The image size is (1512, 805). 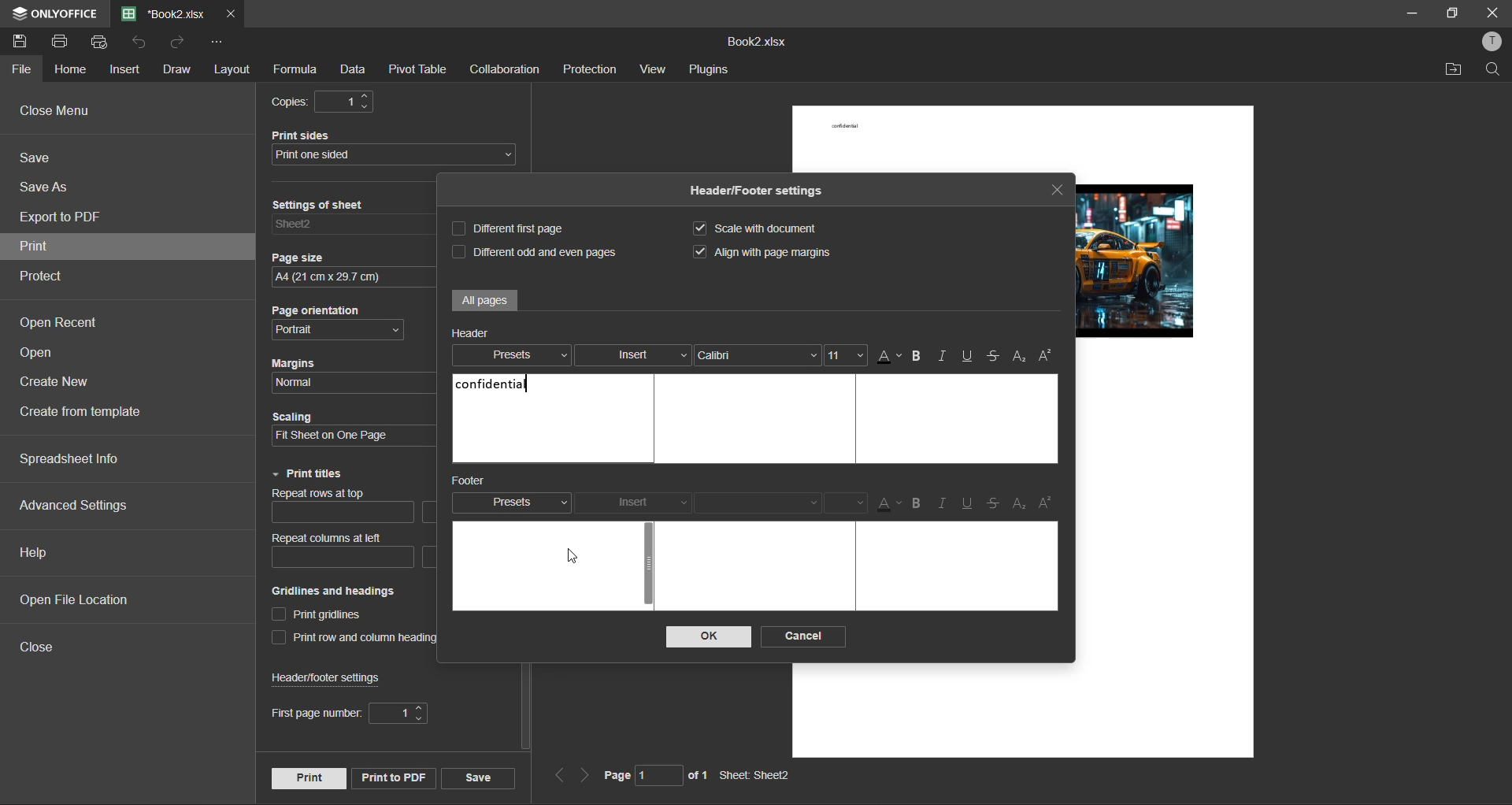 What do you see at coordinates (918, 356) in the screenshot?
I see `bold` at bounding box center [918, 356].